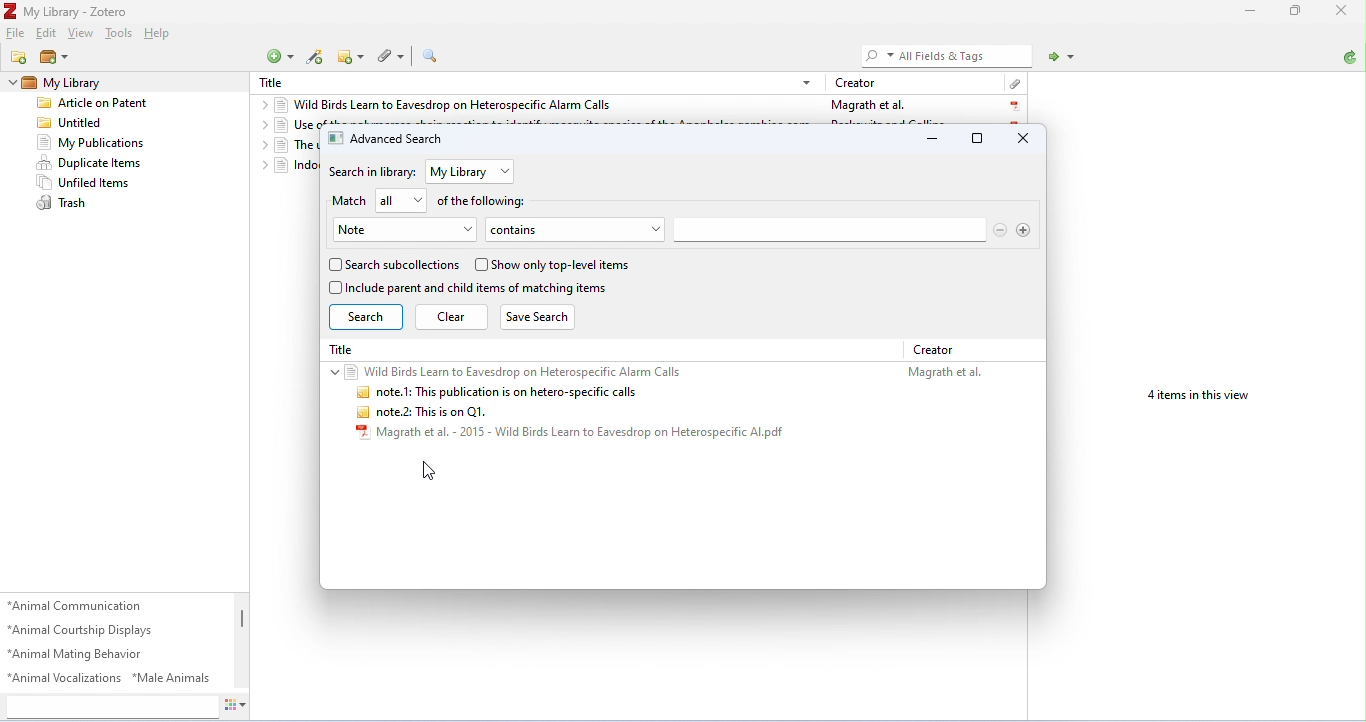 The image size is (1366, 722). I want to click on edit, so click(45, 32).